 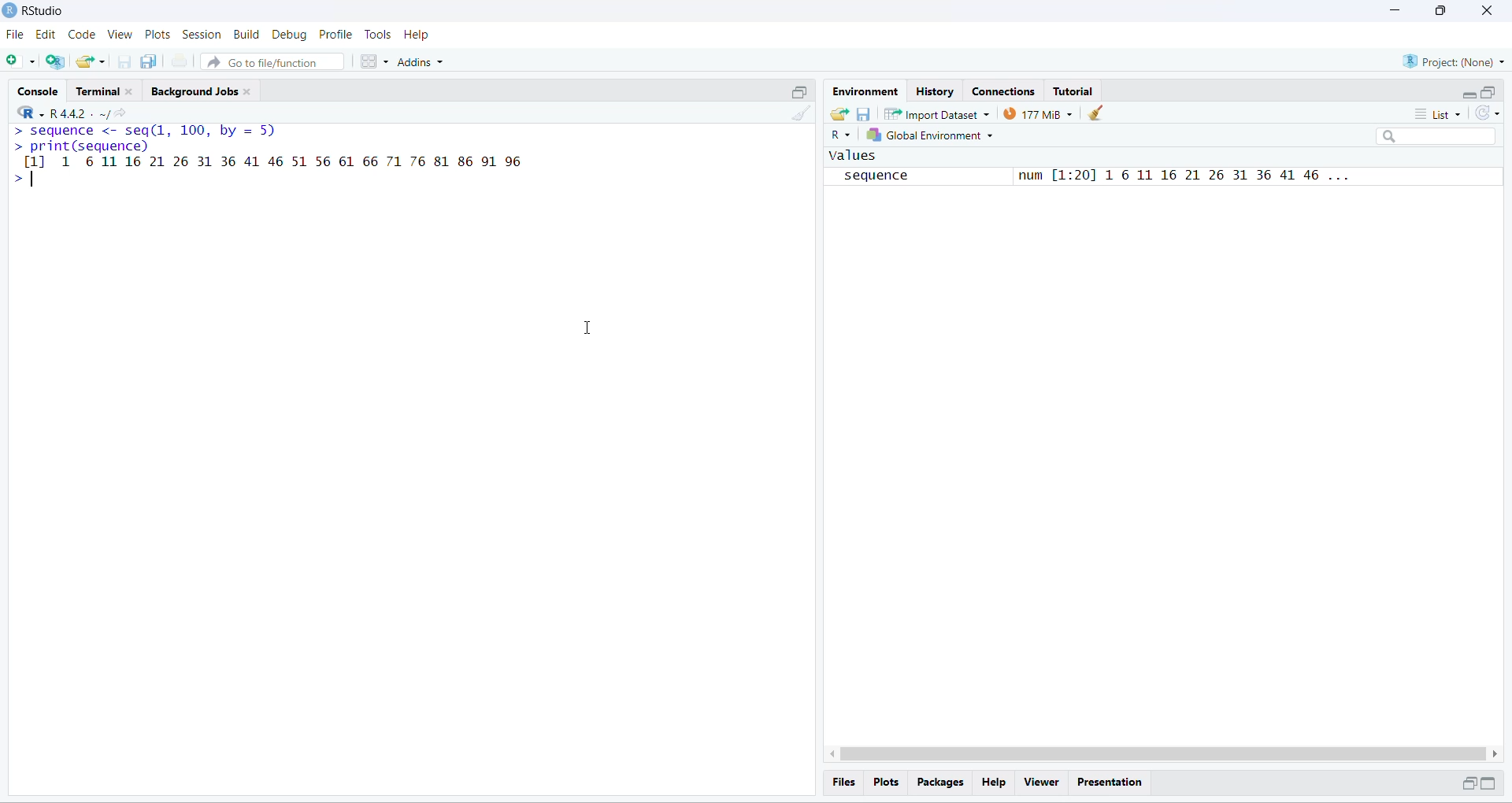 What do you see at coordinates (376, 62) in the screenshot?
I see `grid` at bounding box center [376, 62].